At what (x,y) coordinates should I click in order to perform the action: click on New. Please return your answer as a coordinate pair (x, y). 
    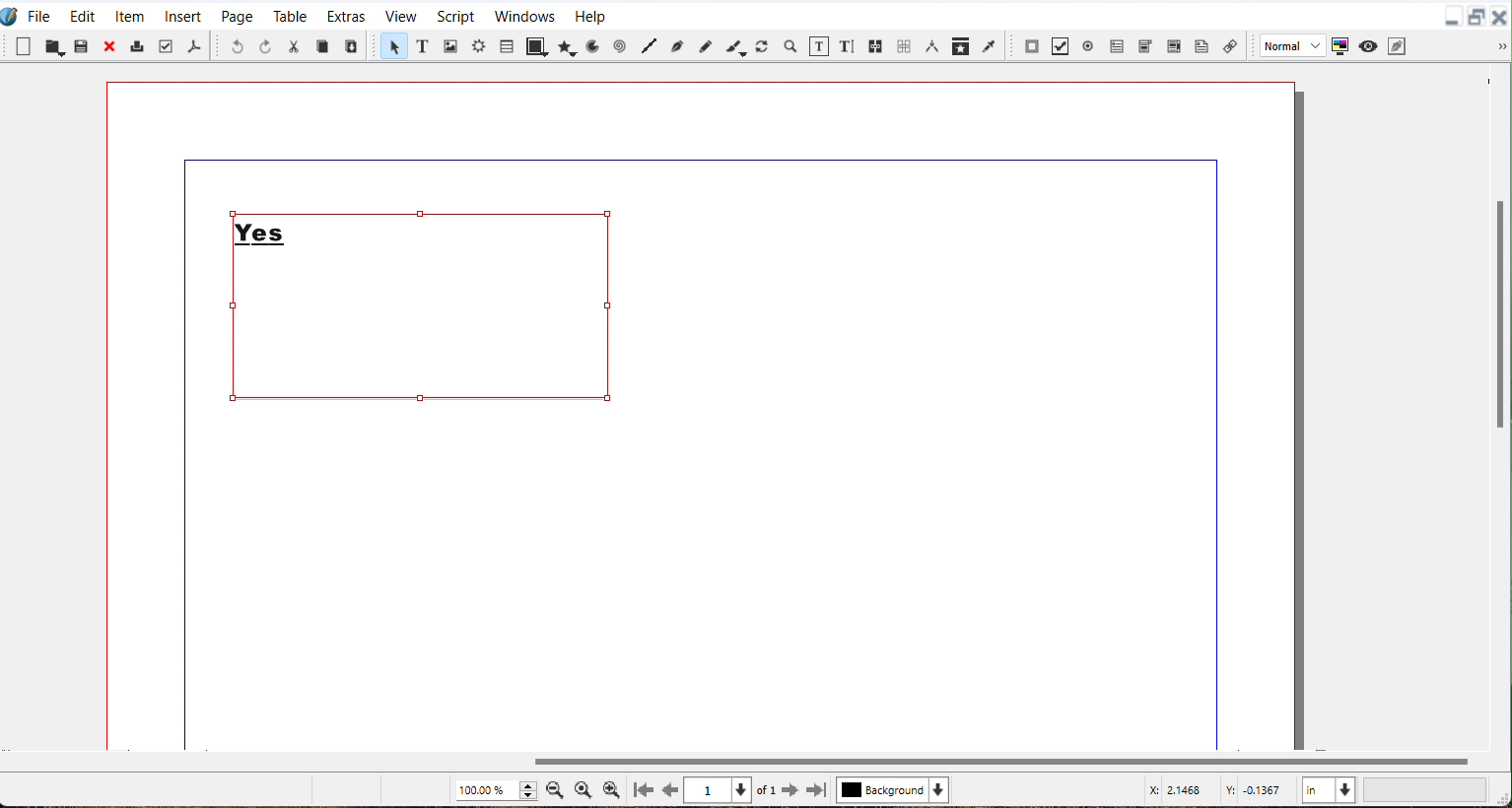
    Looking at the image, I should click on (24, 46).